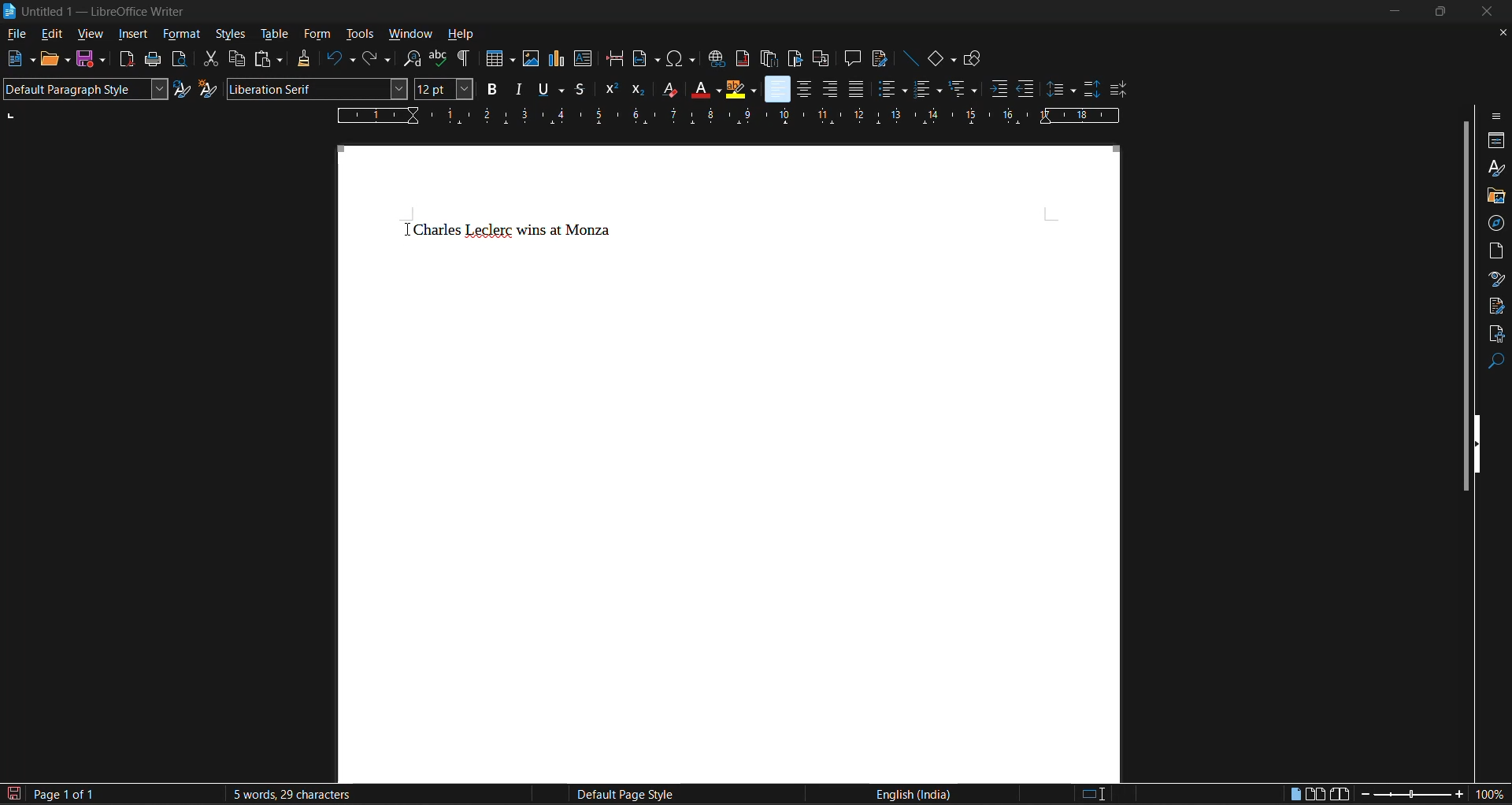  Describe the element at coordinates (548, 91) in the screenshot. I see `underline` at that location.